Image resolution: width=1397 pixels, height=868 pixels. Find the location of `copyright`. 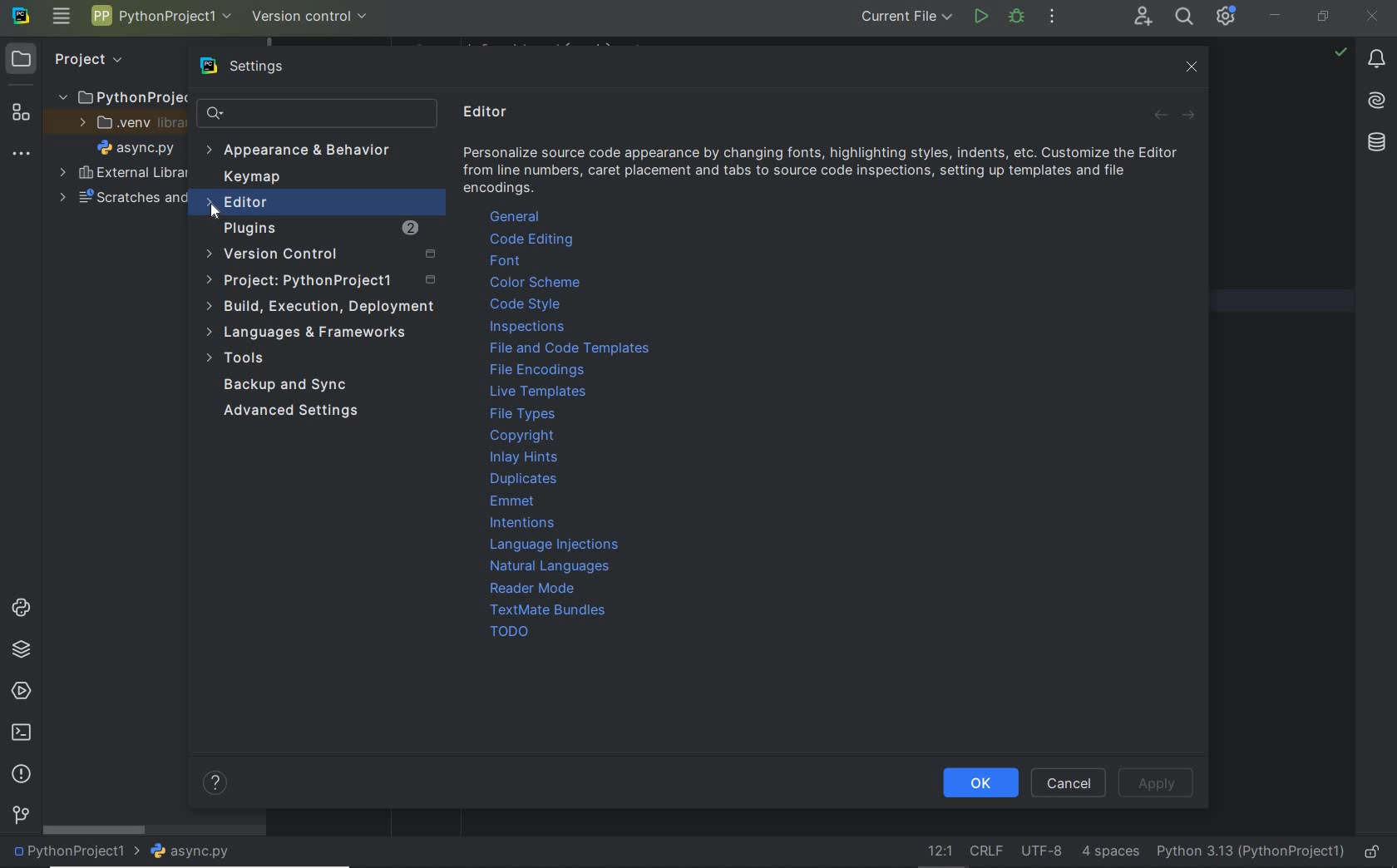

copyright is located at coordinates (520, 437).